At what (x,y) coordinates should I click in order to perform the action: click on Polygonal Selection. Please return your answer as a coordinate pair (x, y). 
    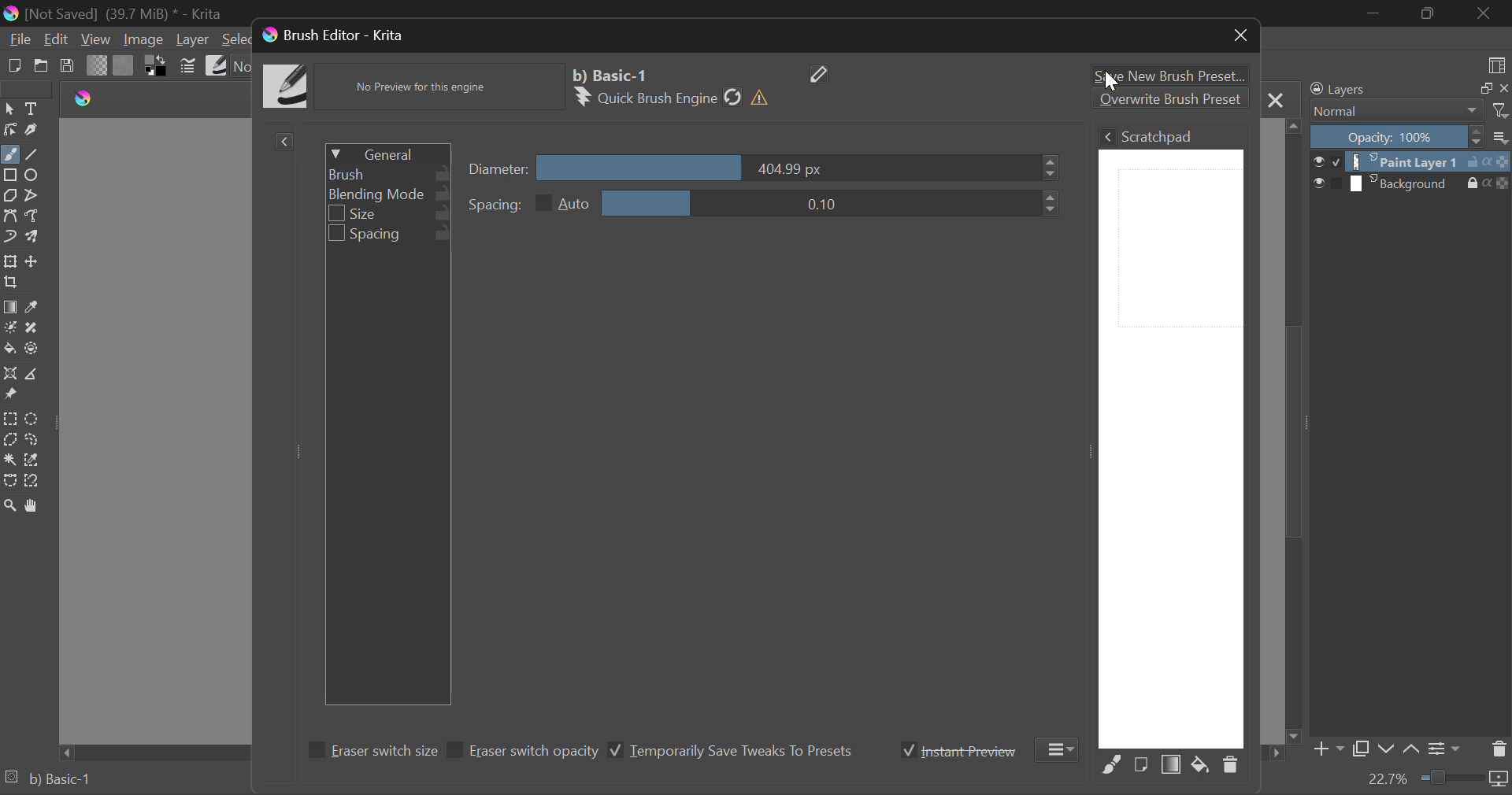
    Looking at the image, I should click on (9, 439).